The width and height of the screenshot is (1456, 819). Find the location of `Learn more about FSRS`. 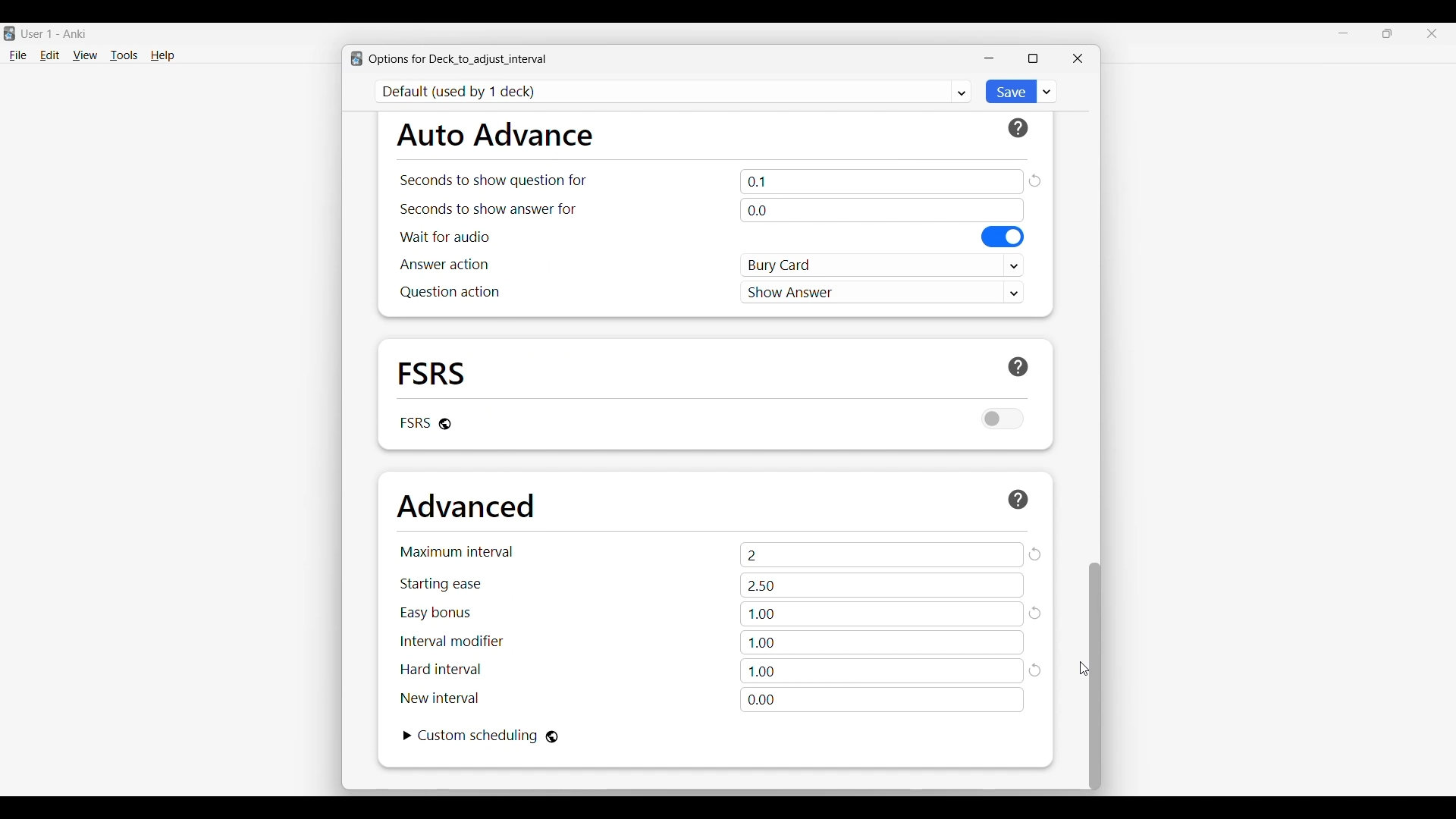

Learn more about FSRS is located at coordinates (1018, 367).